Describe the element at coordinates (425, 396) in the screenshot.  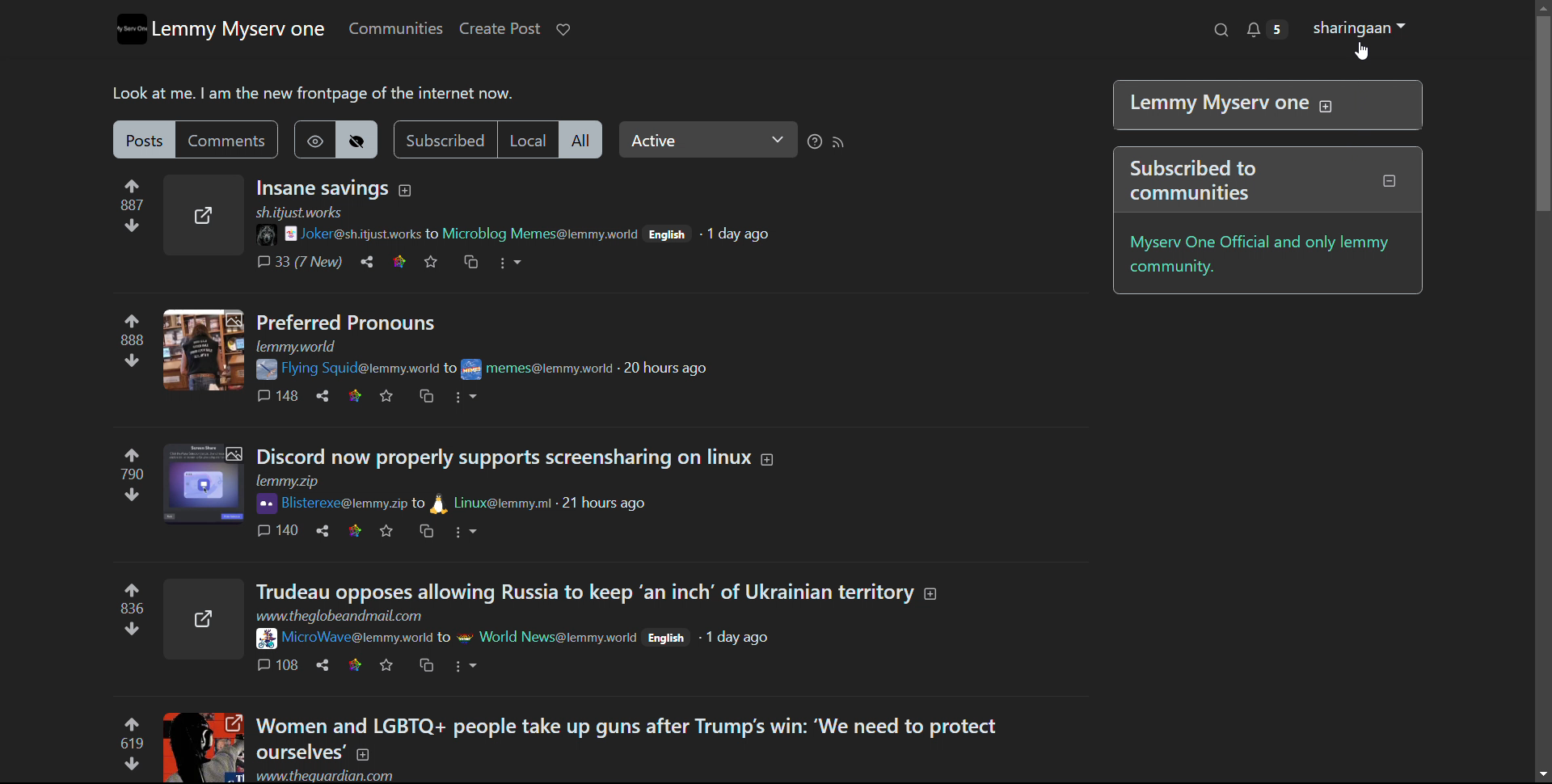
I see `crosspost` at that location.